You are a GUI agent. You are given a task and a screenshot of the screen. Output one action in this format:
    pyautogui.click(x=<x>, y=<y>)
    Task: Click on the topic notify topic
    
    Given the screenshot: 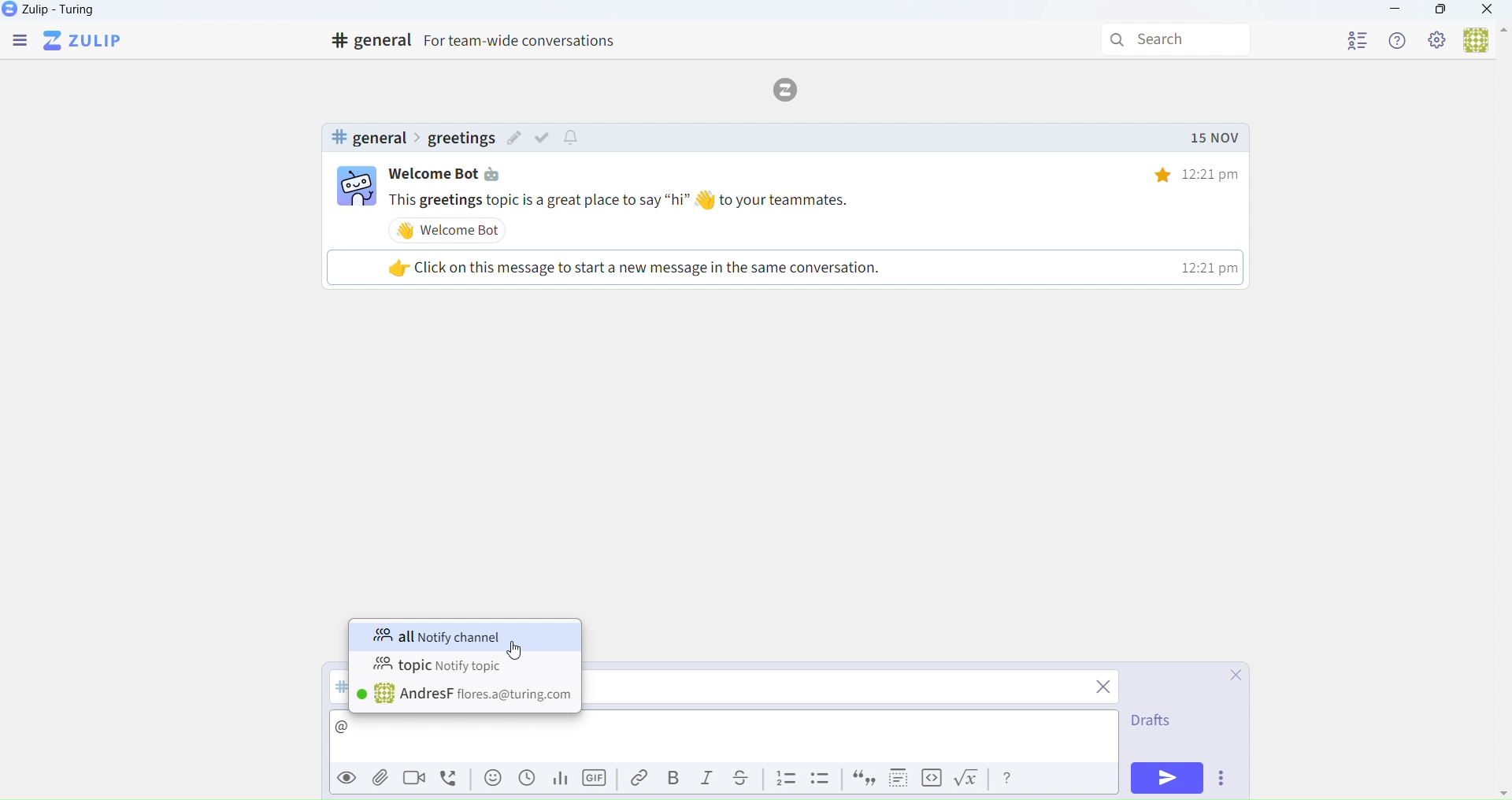 What is the action you would take?
    pyautogui.click(x=440, y=665)
    